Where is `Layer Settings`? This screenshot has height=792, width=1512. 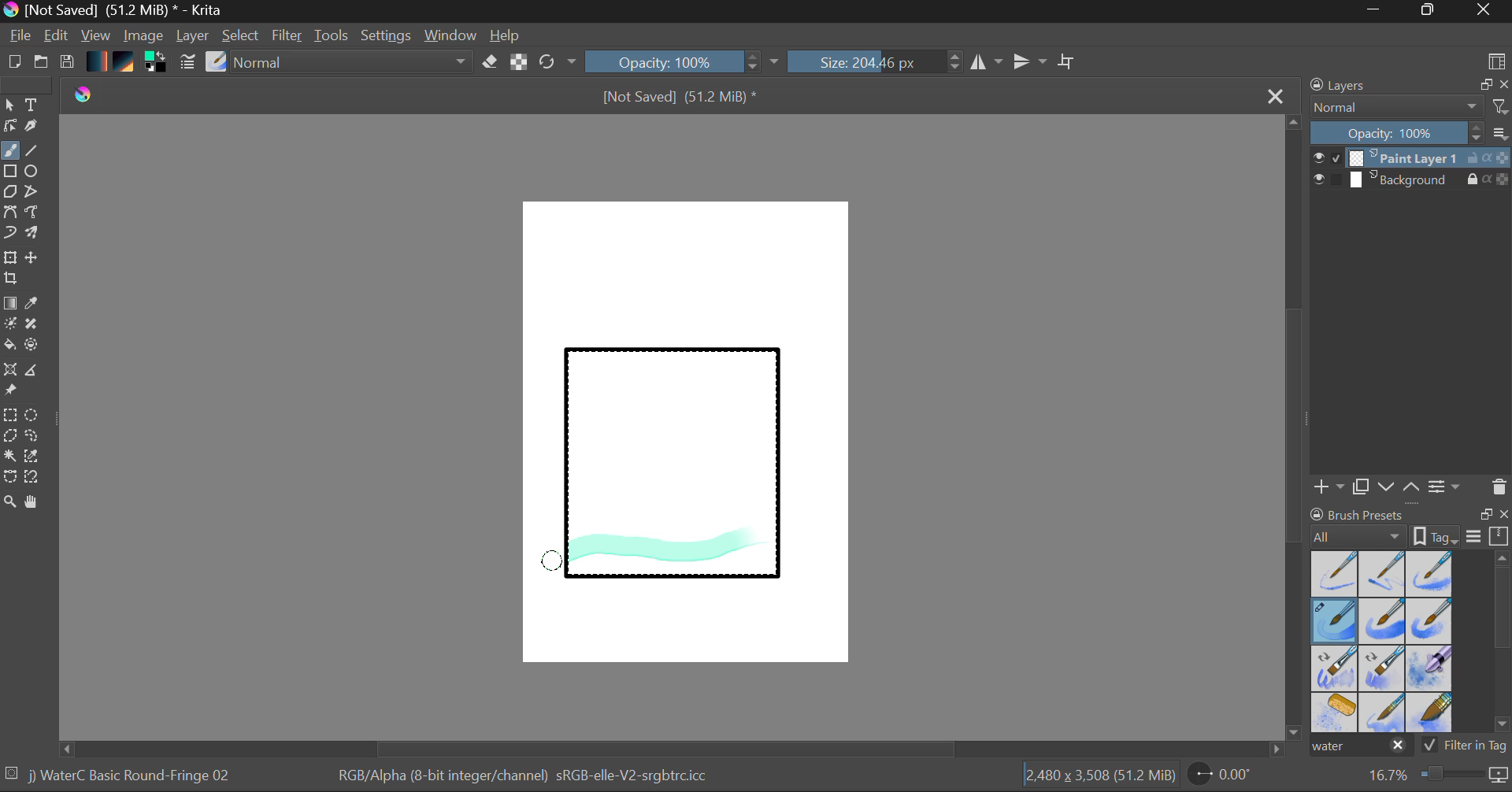
Layer Settings is located at coordinates (1445, 486).